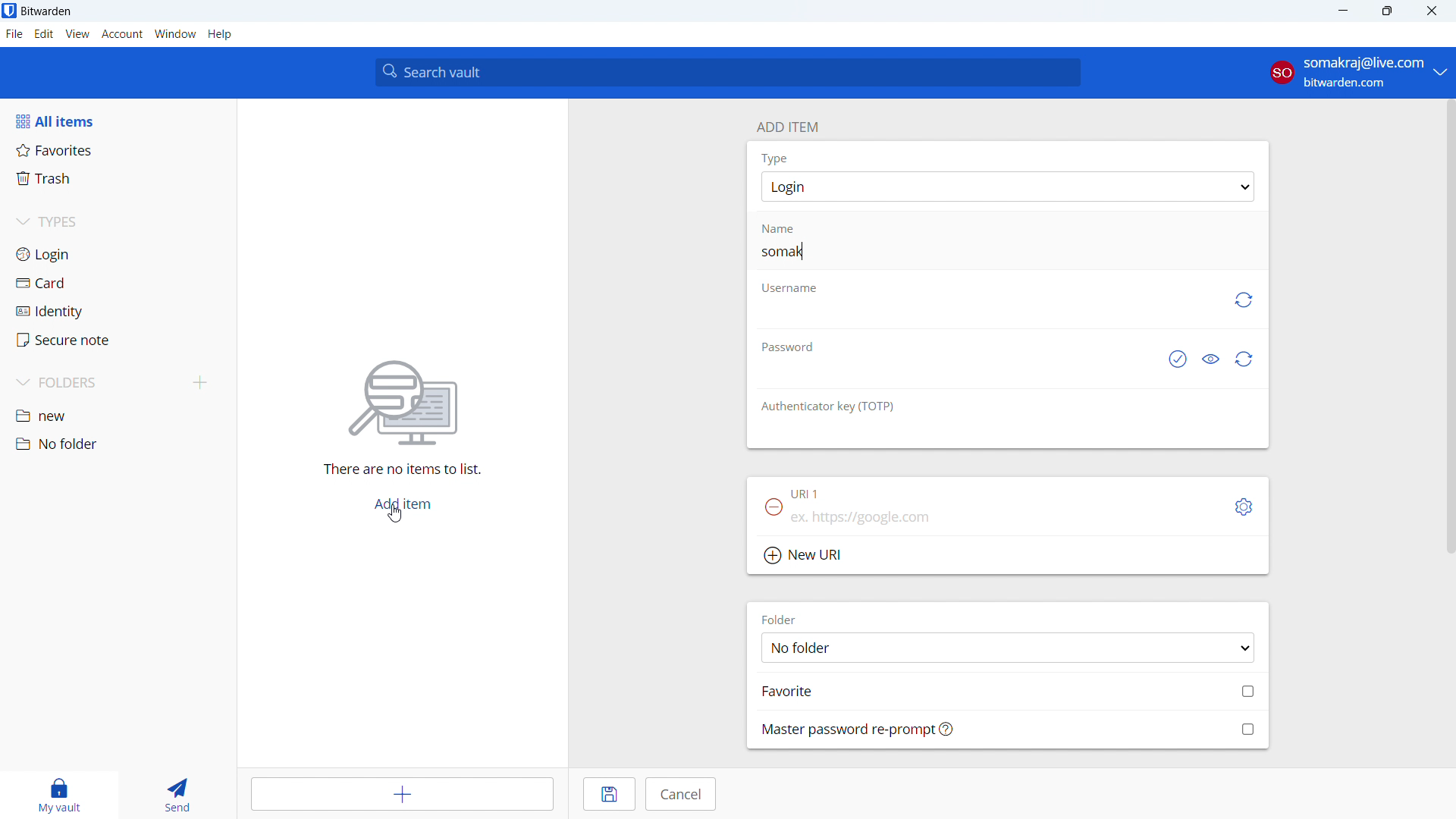 The width and height of the screenshot is (1456, 819). I want to click on select item type, so click(1008, 187).